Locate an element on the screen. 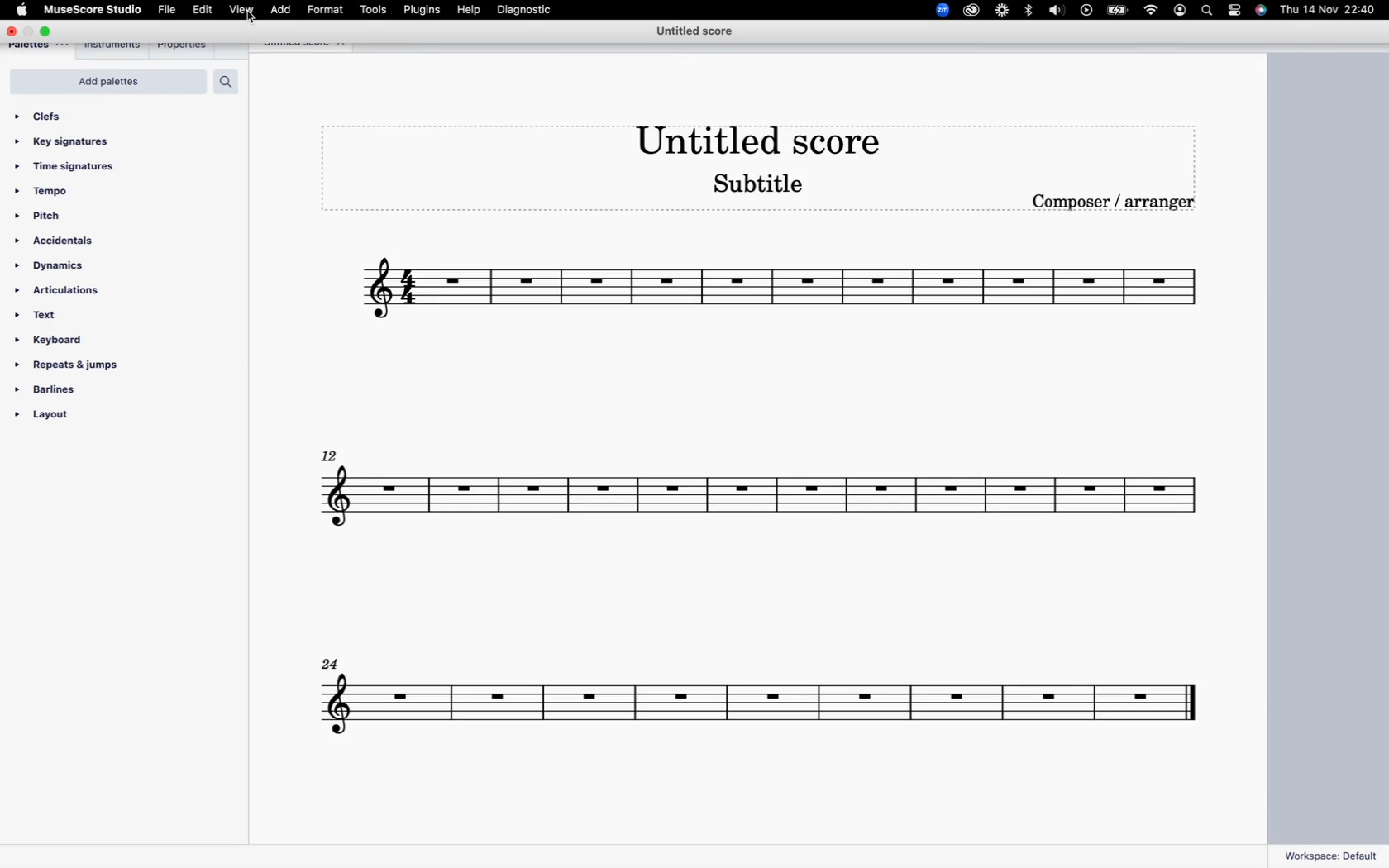 The width and height of the screenshot is (1389, 868). play is located at coordinates (1087, 11).